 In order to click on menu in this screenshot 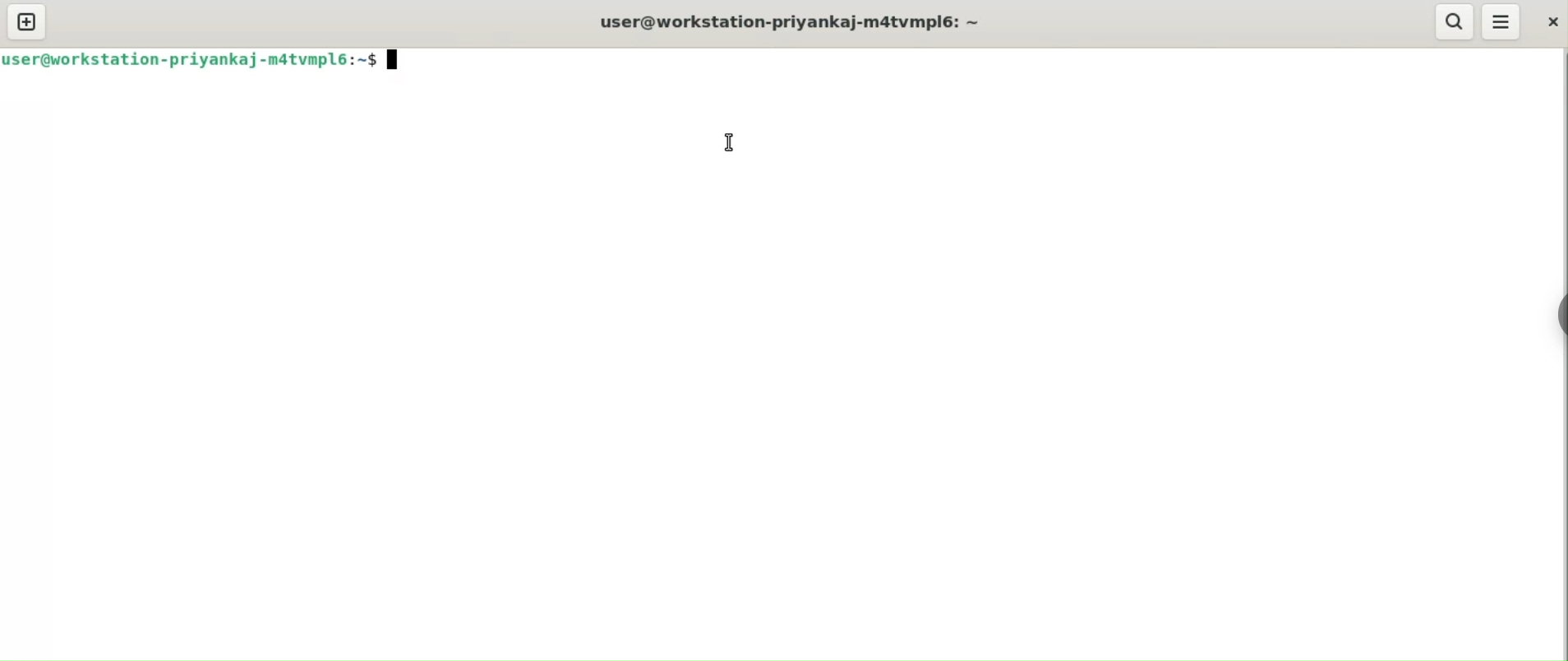, I will do `click(1501, 23)`.